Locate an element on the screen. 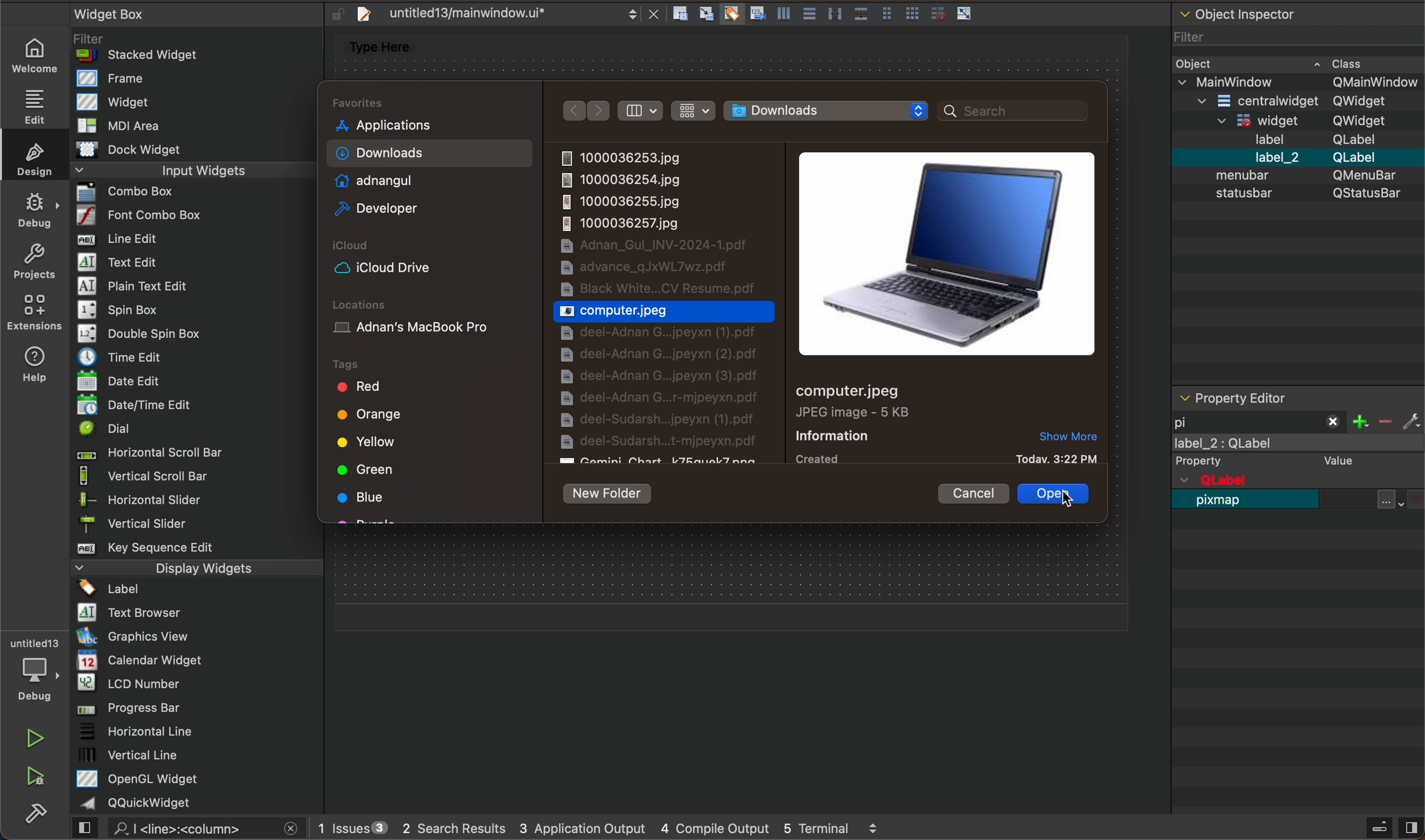  run is located at coordinates (34, 736).